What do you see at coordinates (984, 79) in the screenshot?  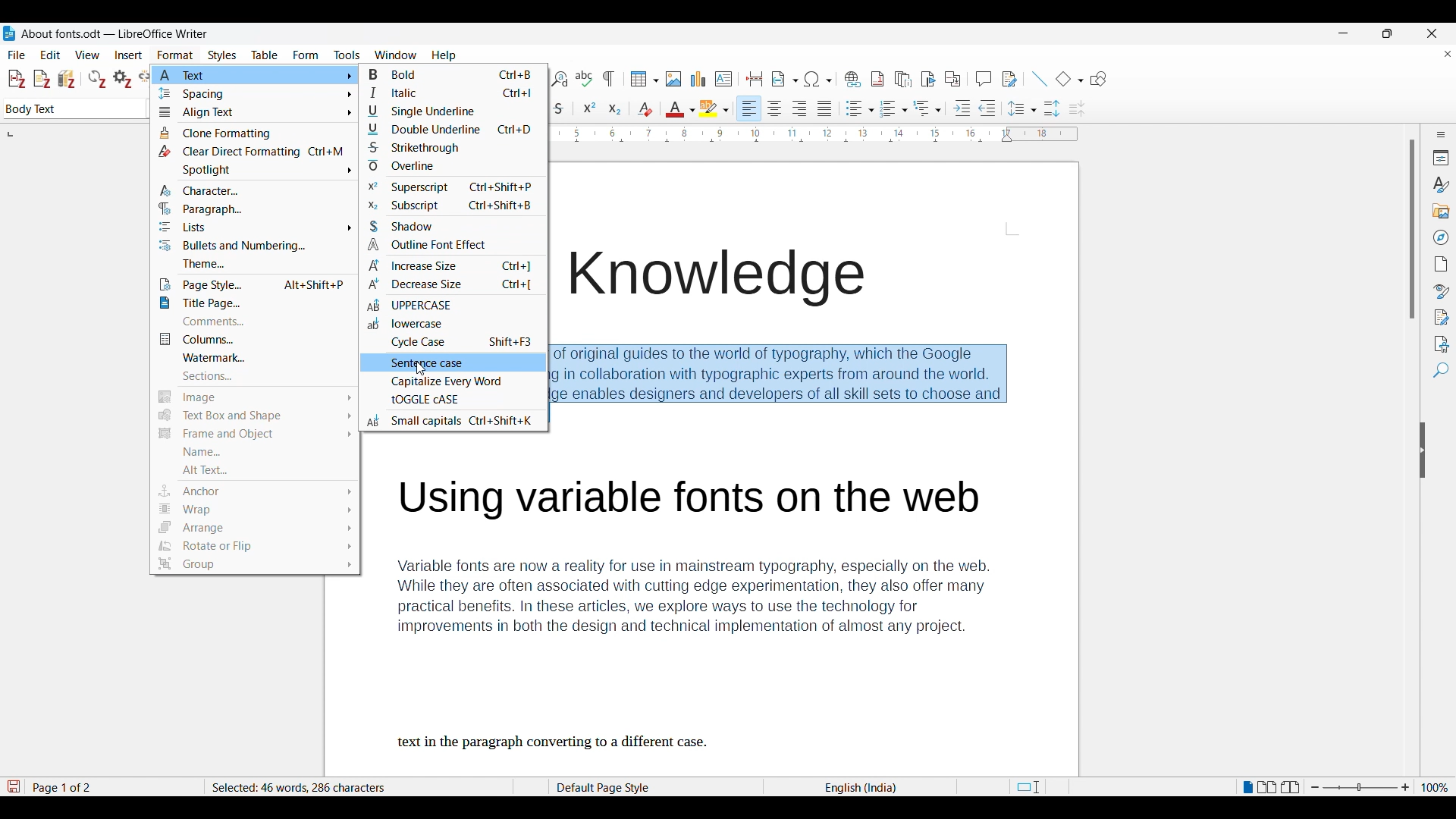 I see `Insert comment` at bounding box center [984, 79].